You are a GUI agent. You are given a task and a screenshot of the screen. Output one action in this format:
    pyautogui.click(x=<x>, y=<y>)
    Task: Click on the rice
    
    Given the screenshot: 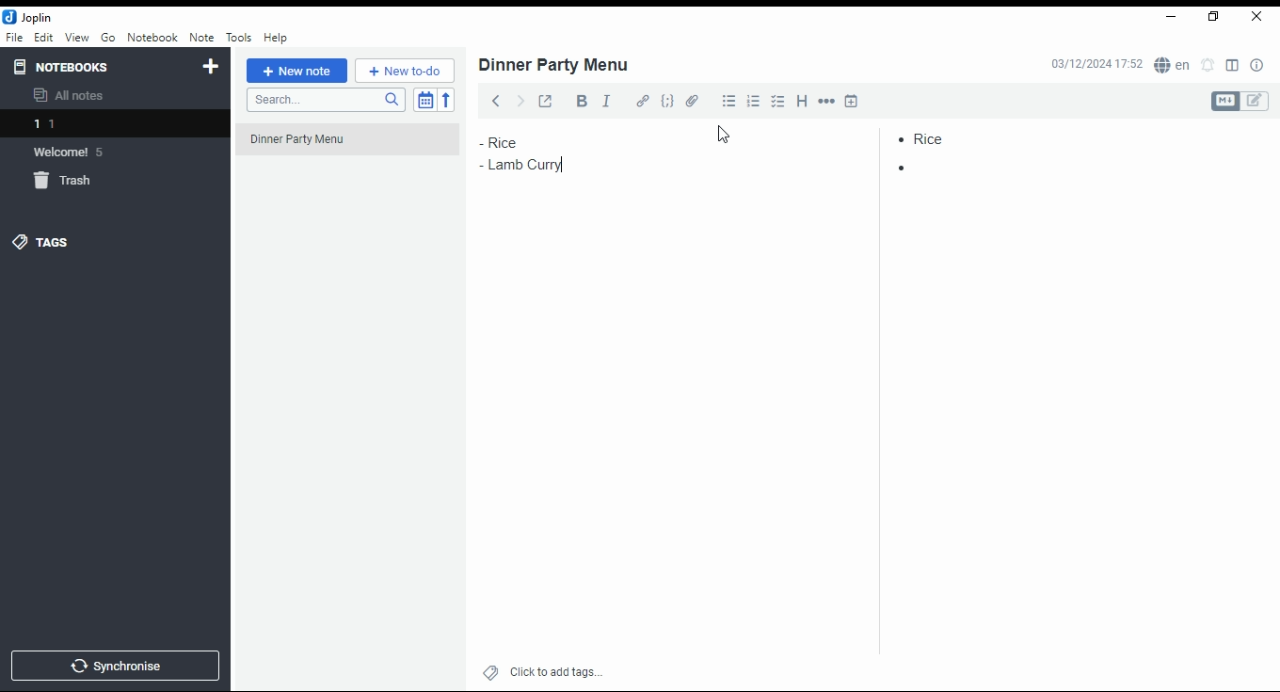 What is the action you would take?
    pyautogui.click(x=946, y=136)
    